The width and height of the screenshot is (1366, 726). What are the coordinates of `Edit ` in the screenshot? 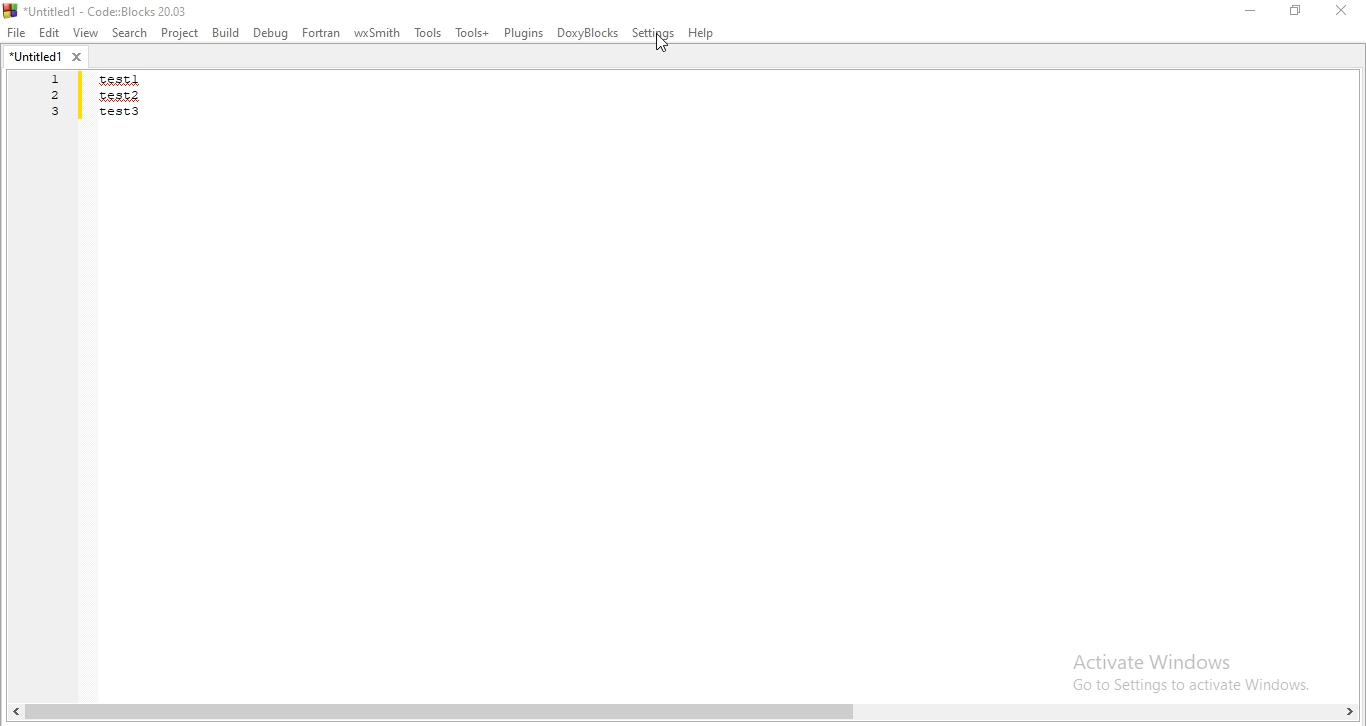 It's located at (50, 34).